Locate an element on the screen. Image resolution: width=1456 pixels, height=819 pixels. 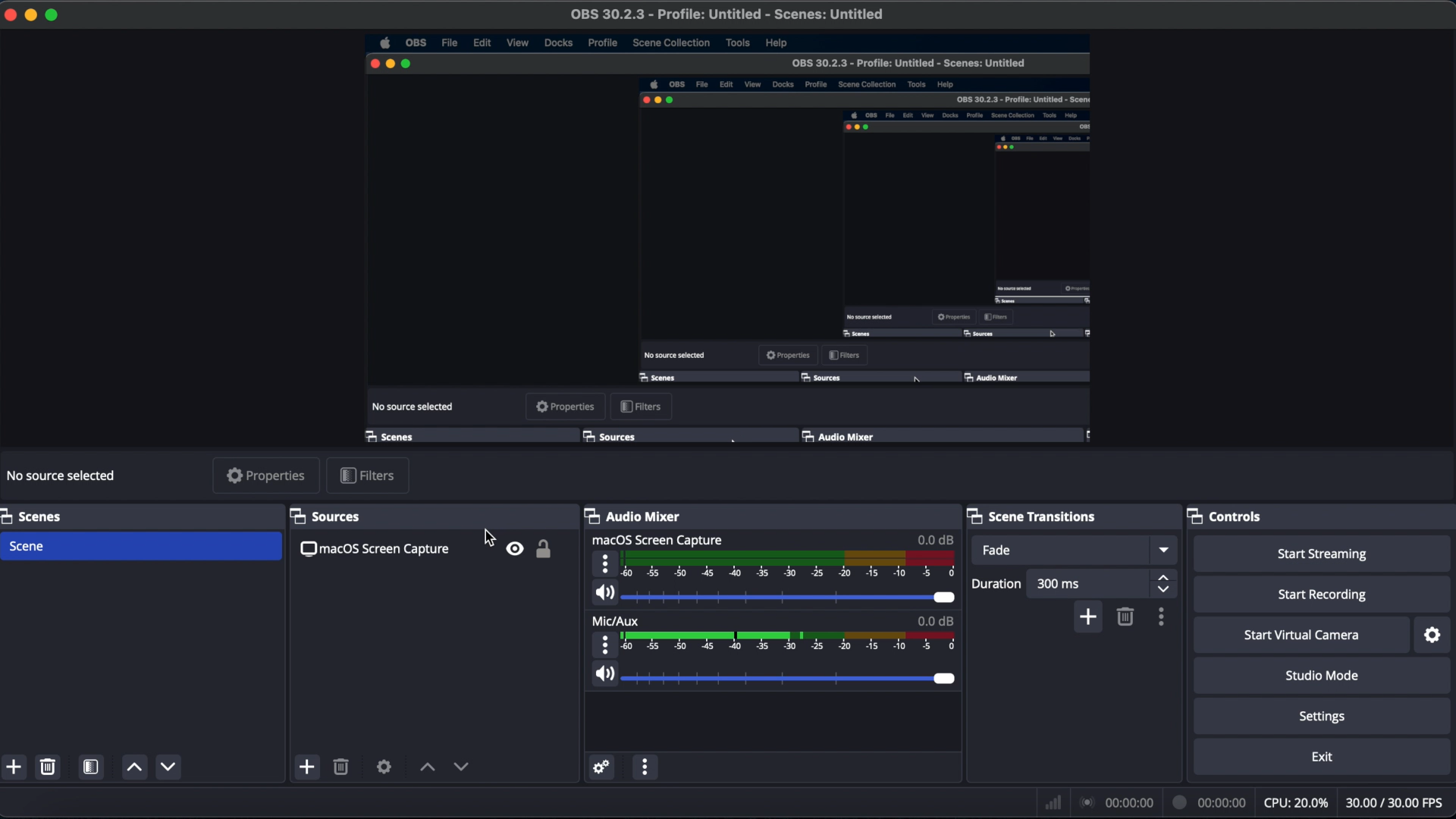
audio icon is located at coordinates (603, 594).